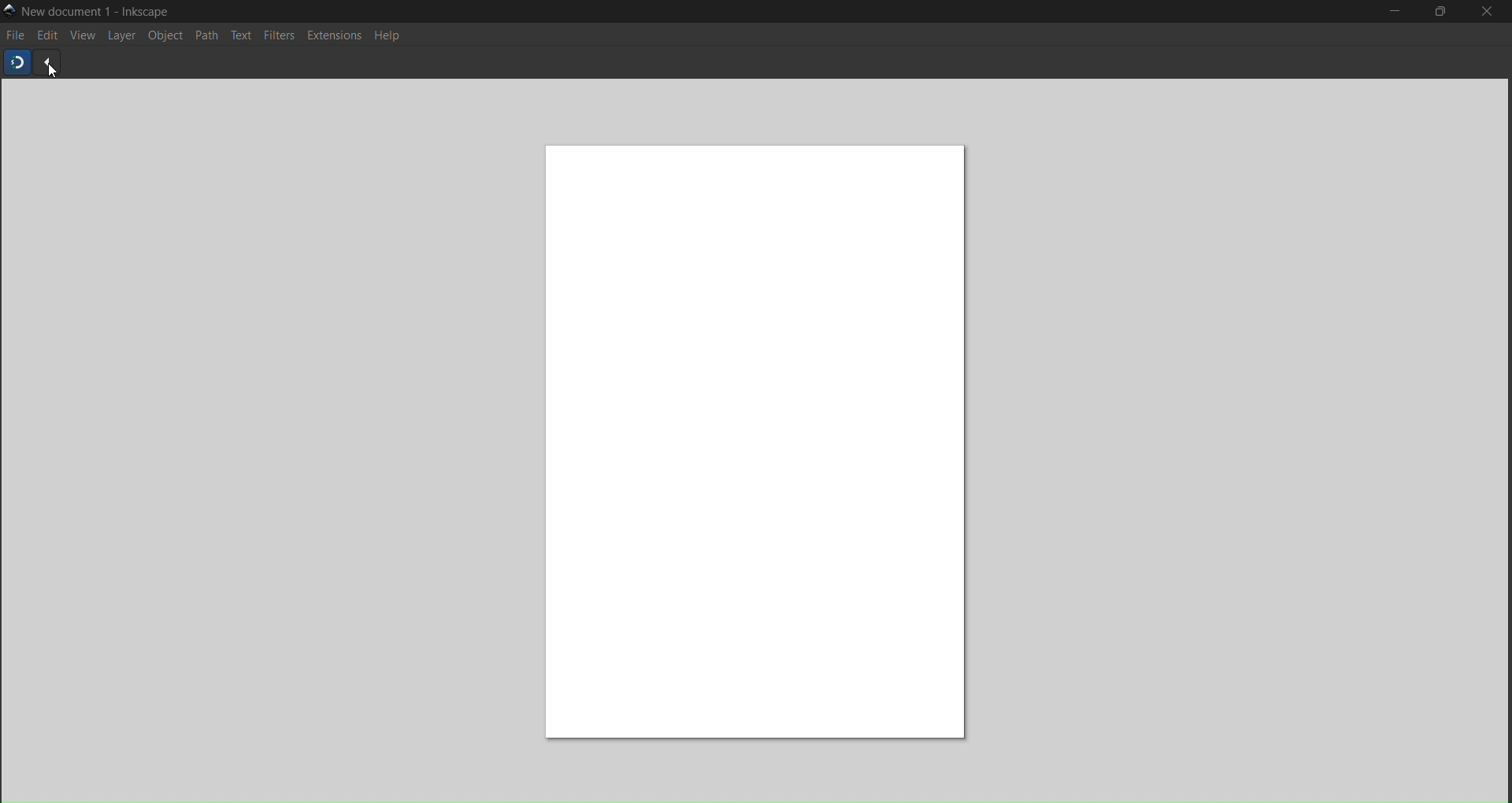 The width and height of the screenshot is (1512, 803). What do you see at coordinates (46, 64) in the screenshot?
I see `snapping dropdown` at bounding box center [46, 64].